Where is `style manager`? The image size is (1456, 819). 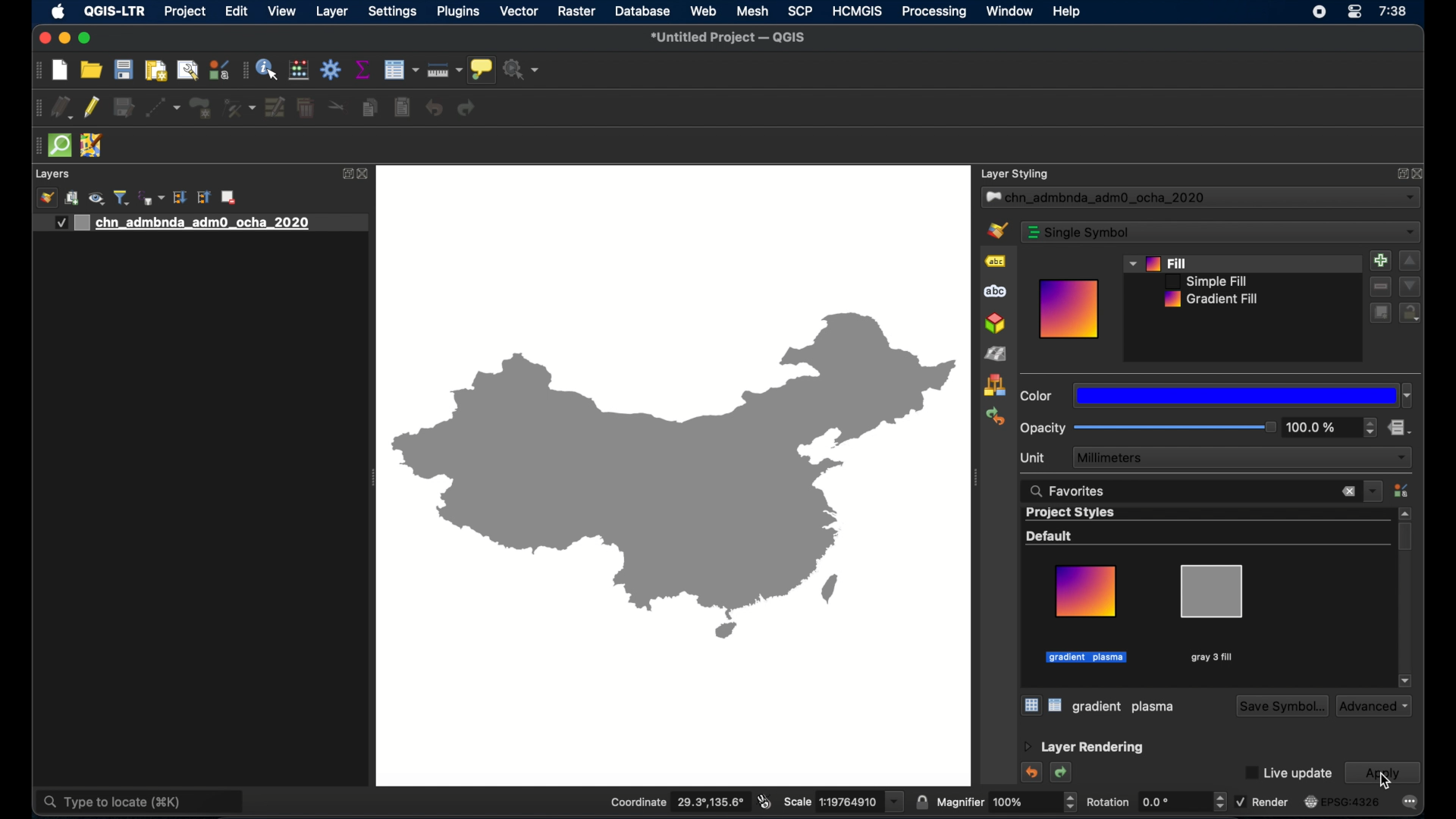 style manager is located at coordinates (995, 386).